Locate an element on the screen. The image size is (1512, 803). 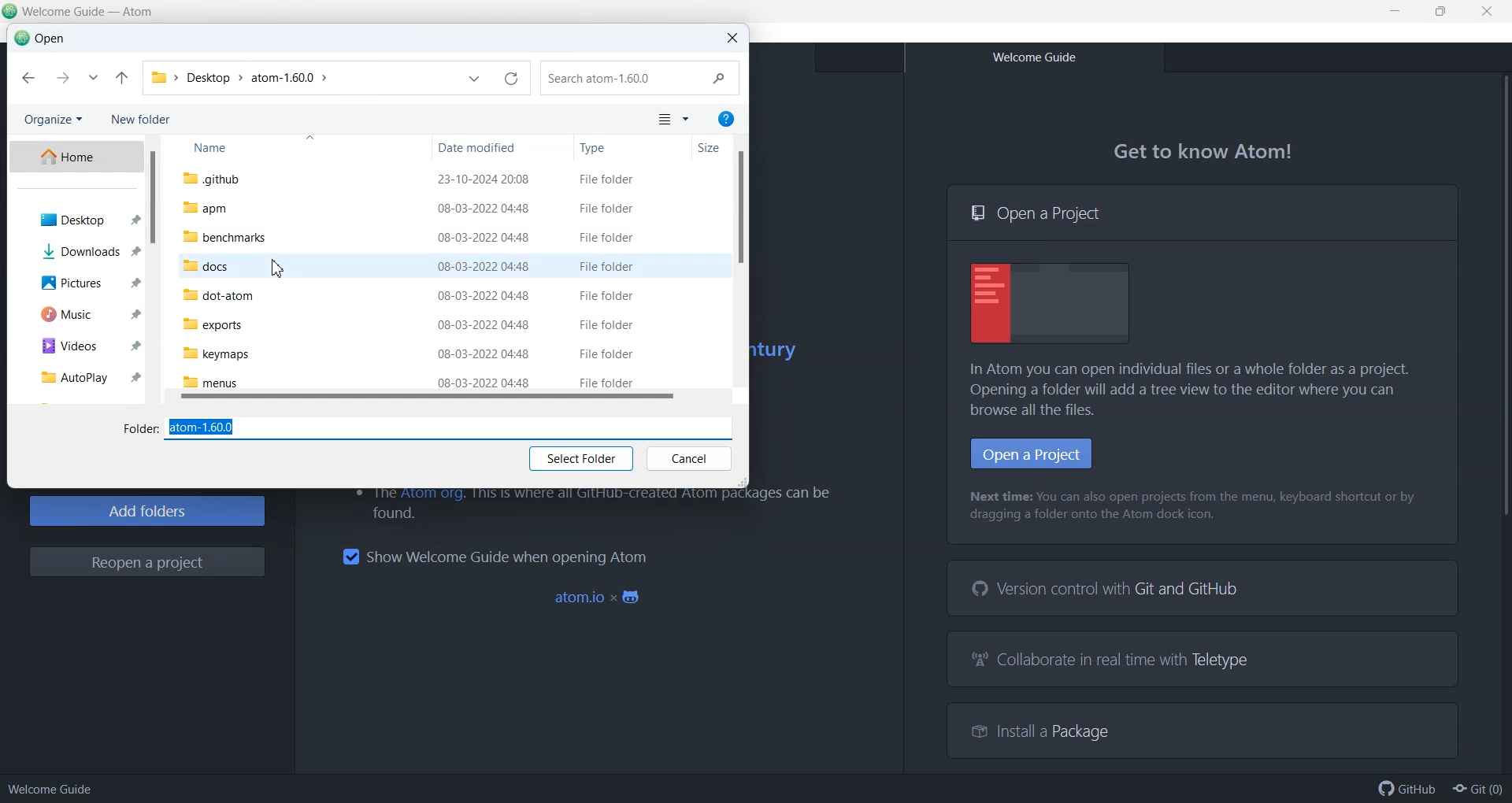
Organize is located at coordinates (52, 120).